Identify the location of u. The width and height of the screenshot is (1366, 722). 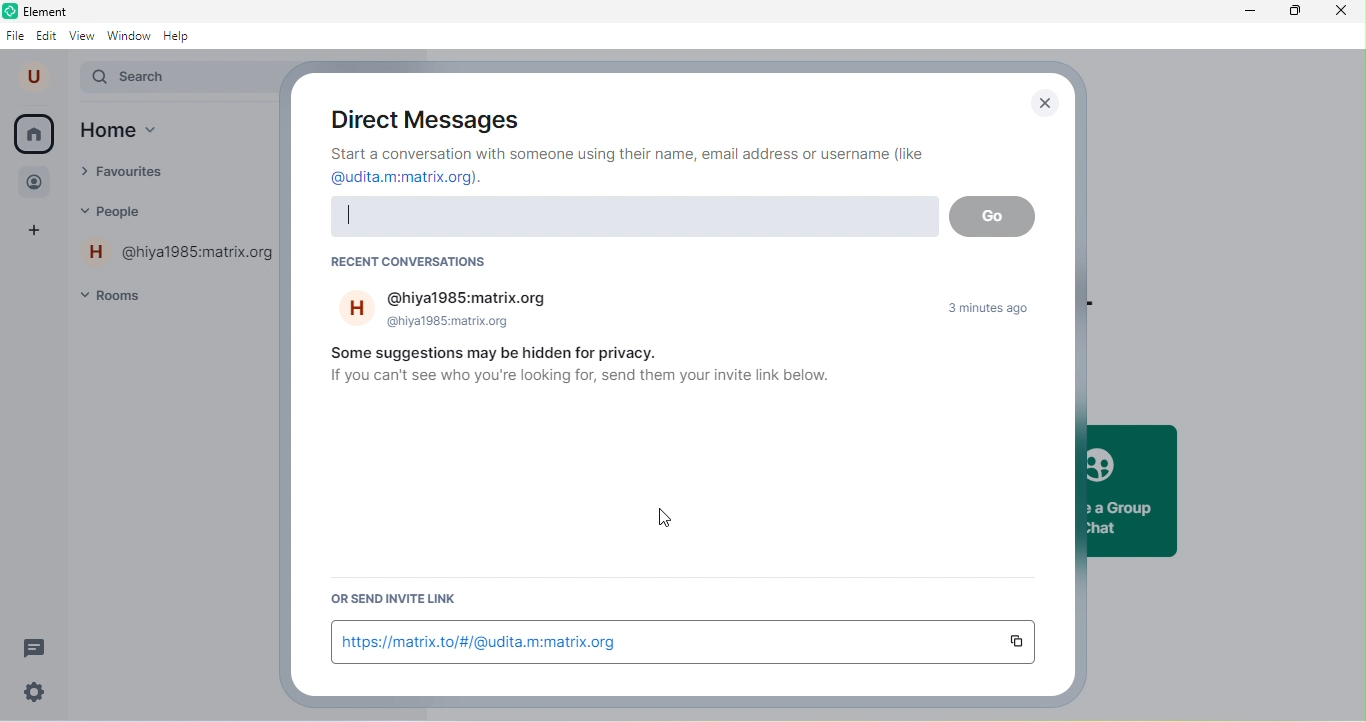
(37, 77).